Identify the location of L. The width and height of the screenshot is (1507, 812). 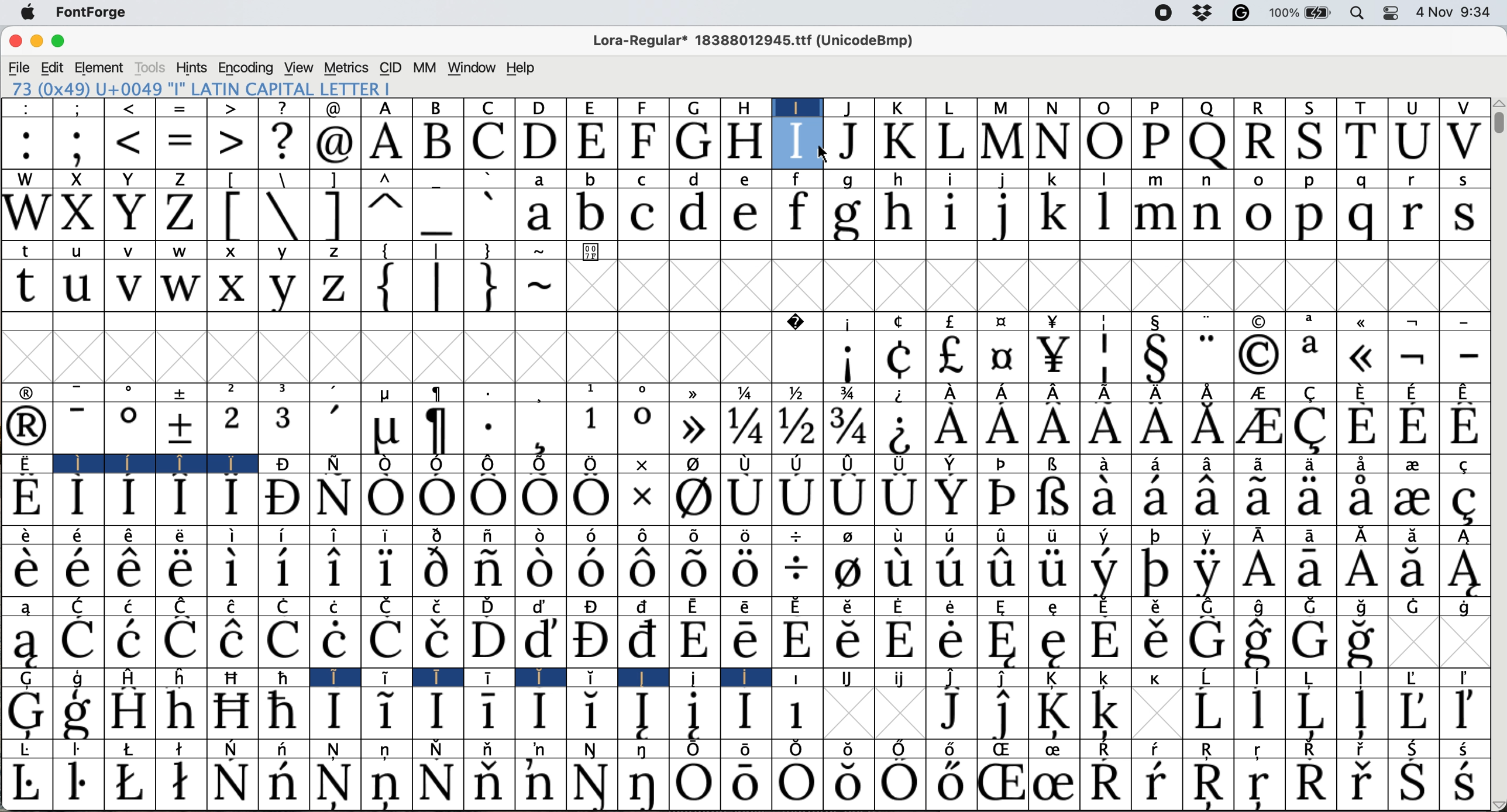
(949, 108).